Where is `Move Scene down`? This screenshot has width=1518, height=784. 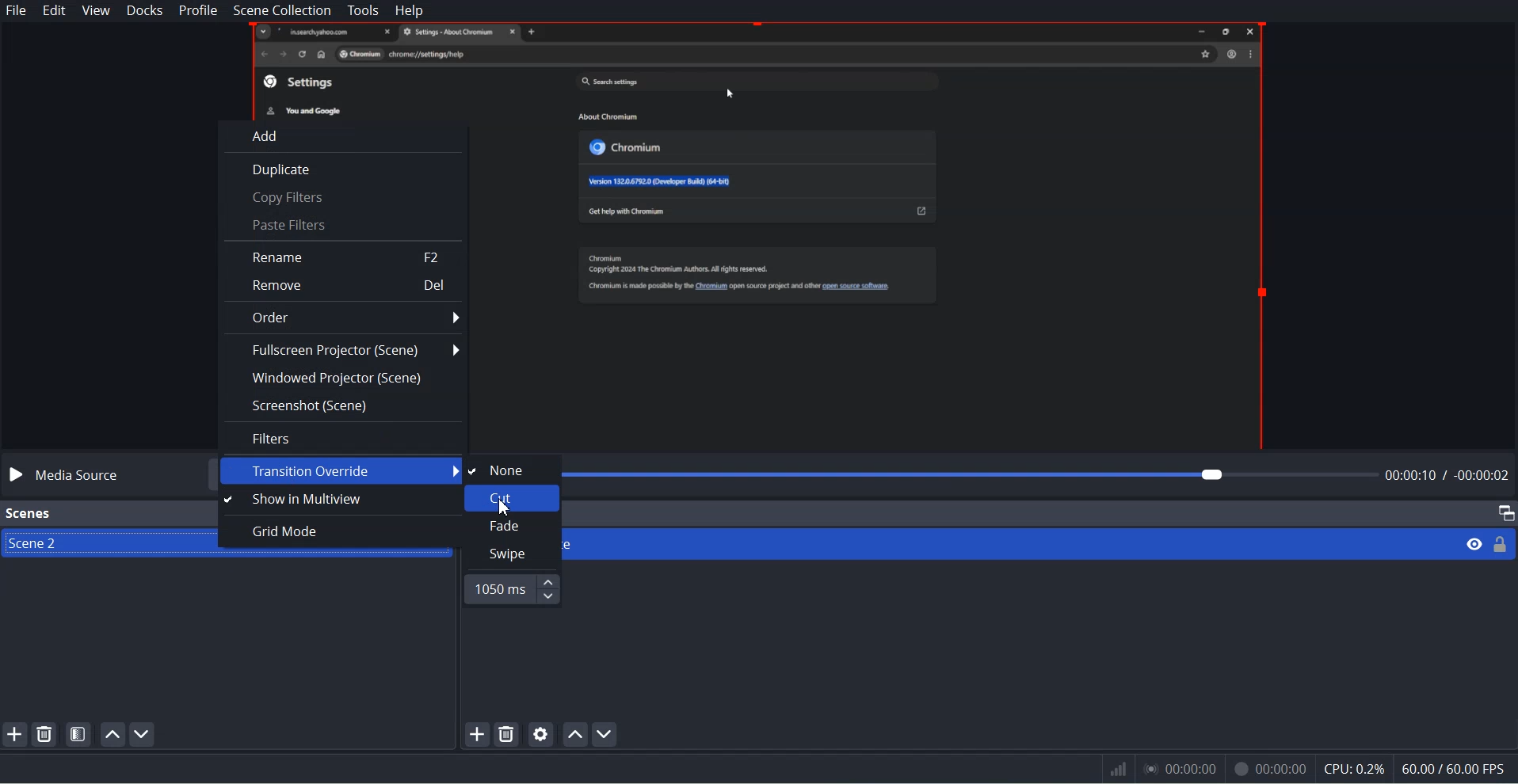
Move Scene down is located at coordinates (143, 735).